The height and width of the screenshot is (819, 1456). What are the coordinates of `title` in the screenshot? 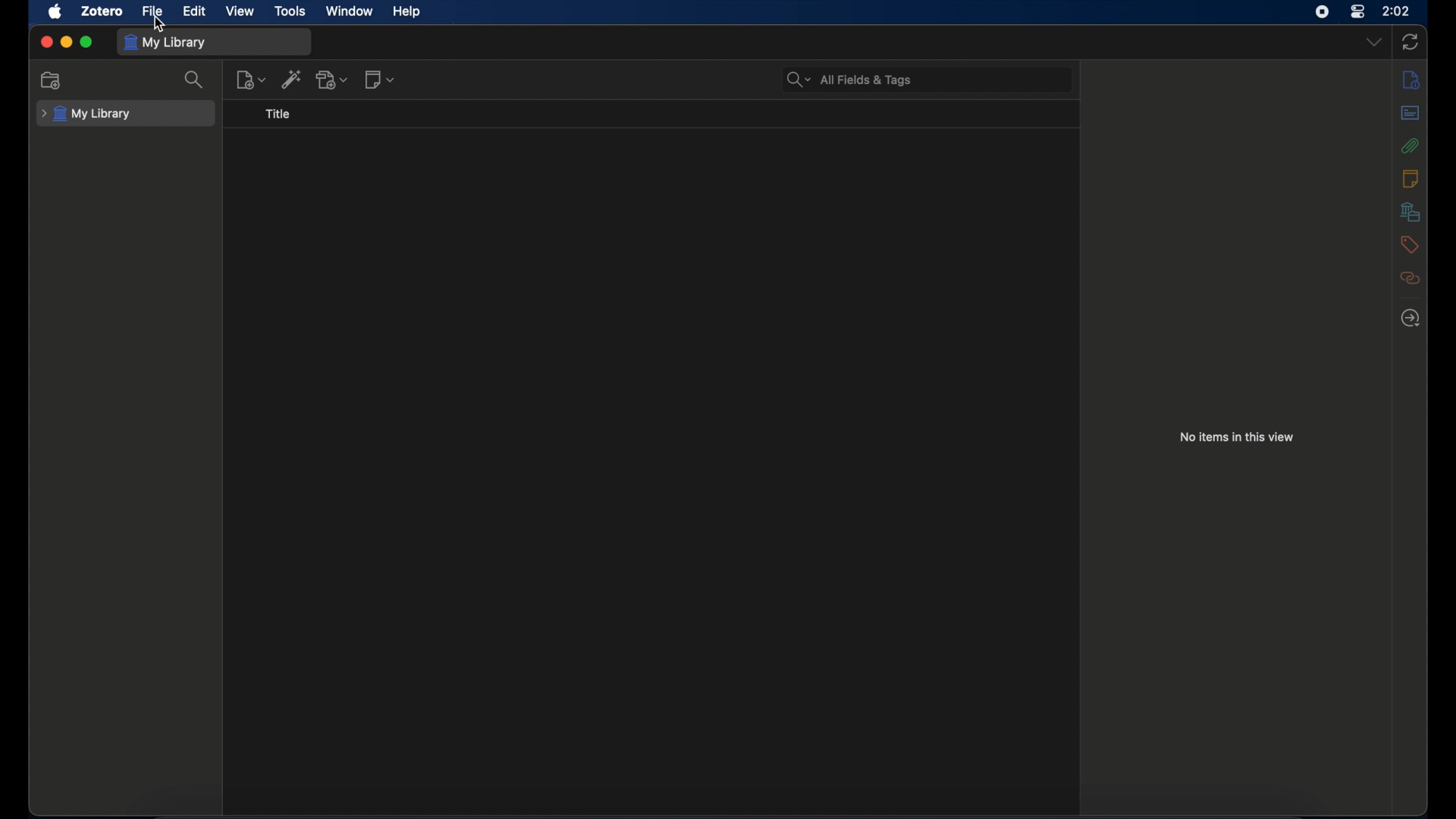 It's located at (281, 115).